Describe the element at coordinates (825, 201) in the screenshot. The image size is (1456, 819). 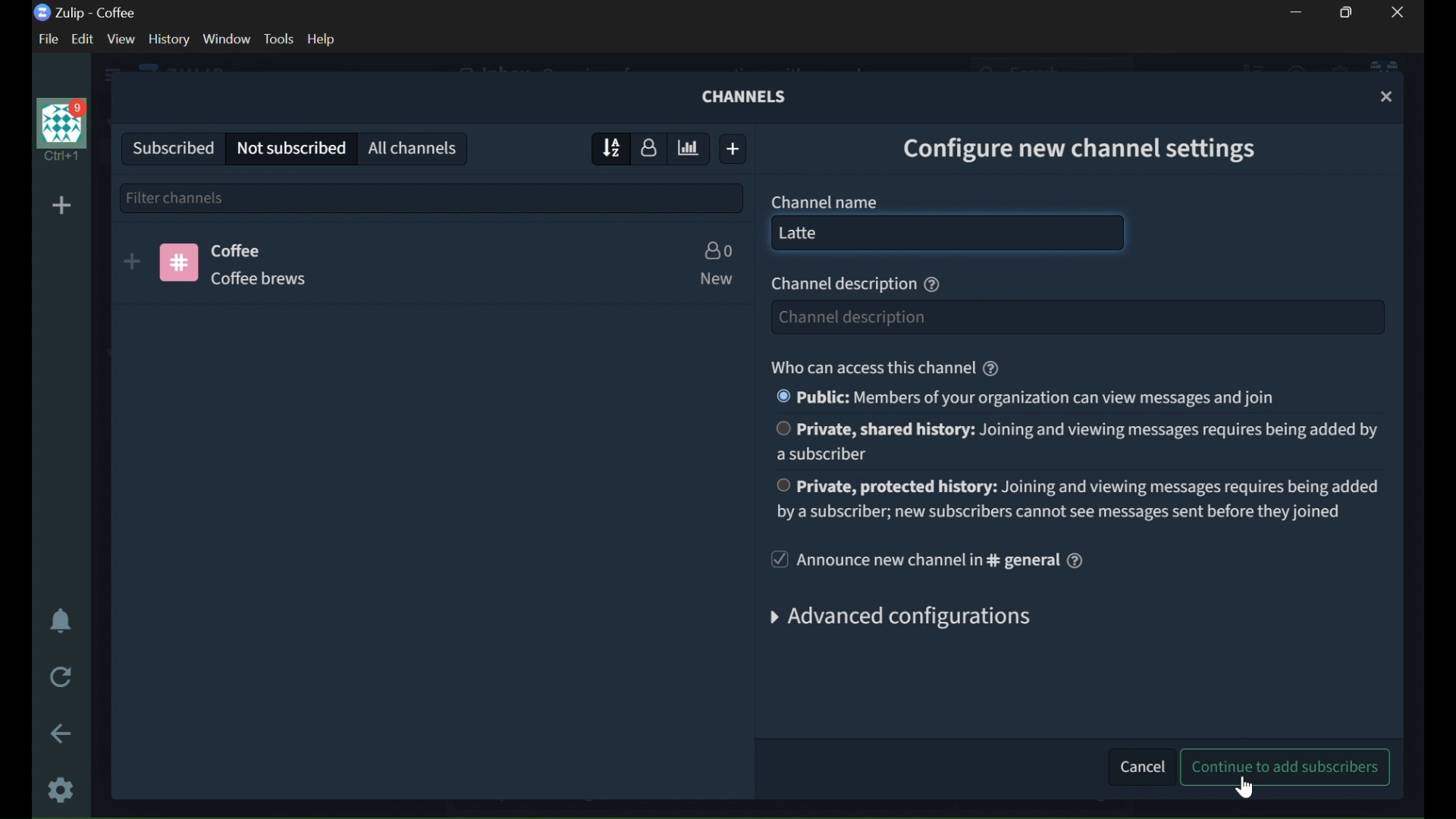
I see `CHANNEL NAME` at that location.